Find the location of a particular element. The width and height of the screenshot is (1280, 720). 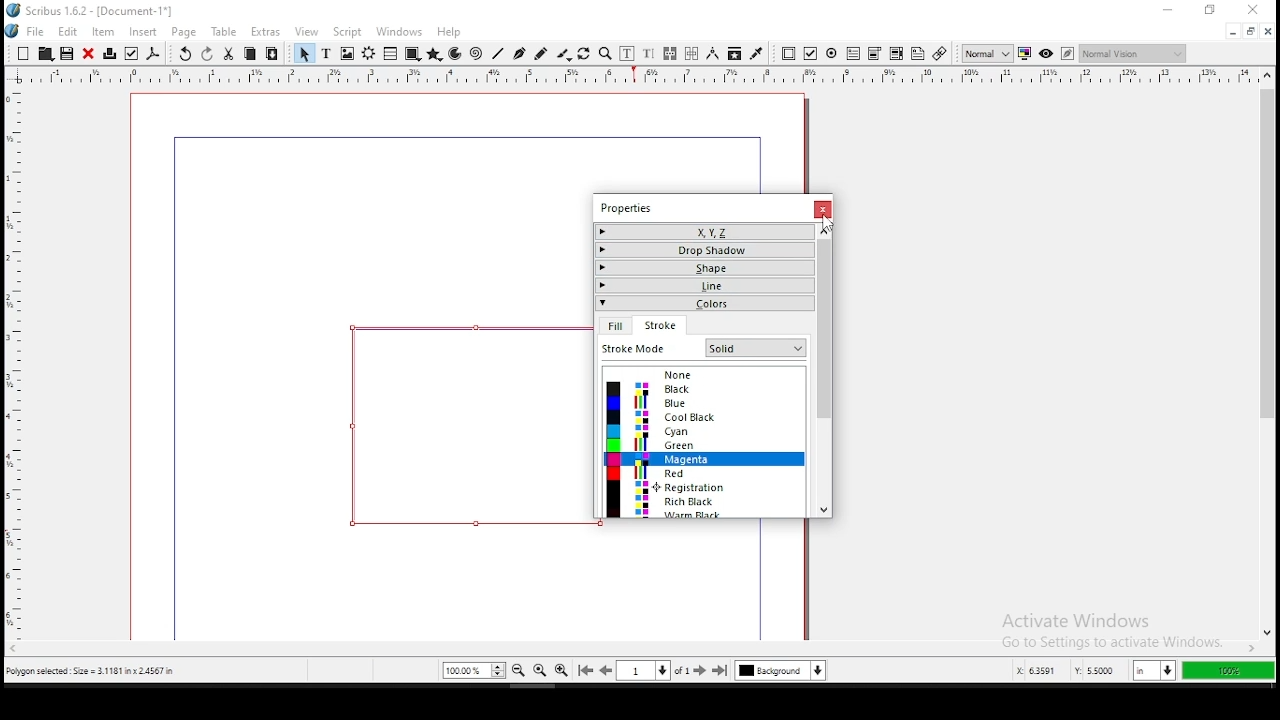

scroll bar is located at coordinates (821, 370).